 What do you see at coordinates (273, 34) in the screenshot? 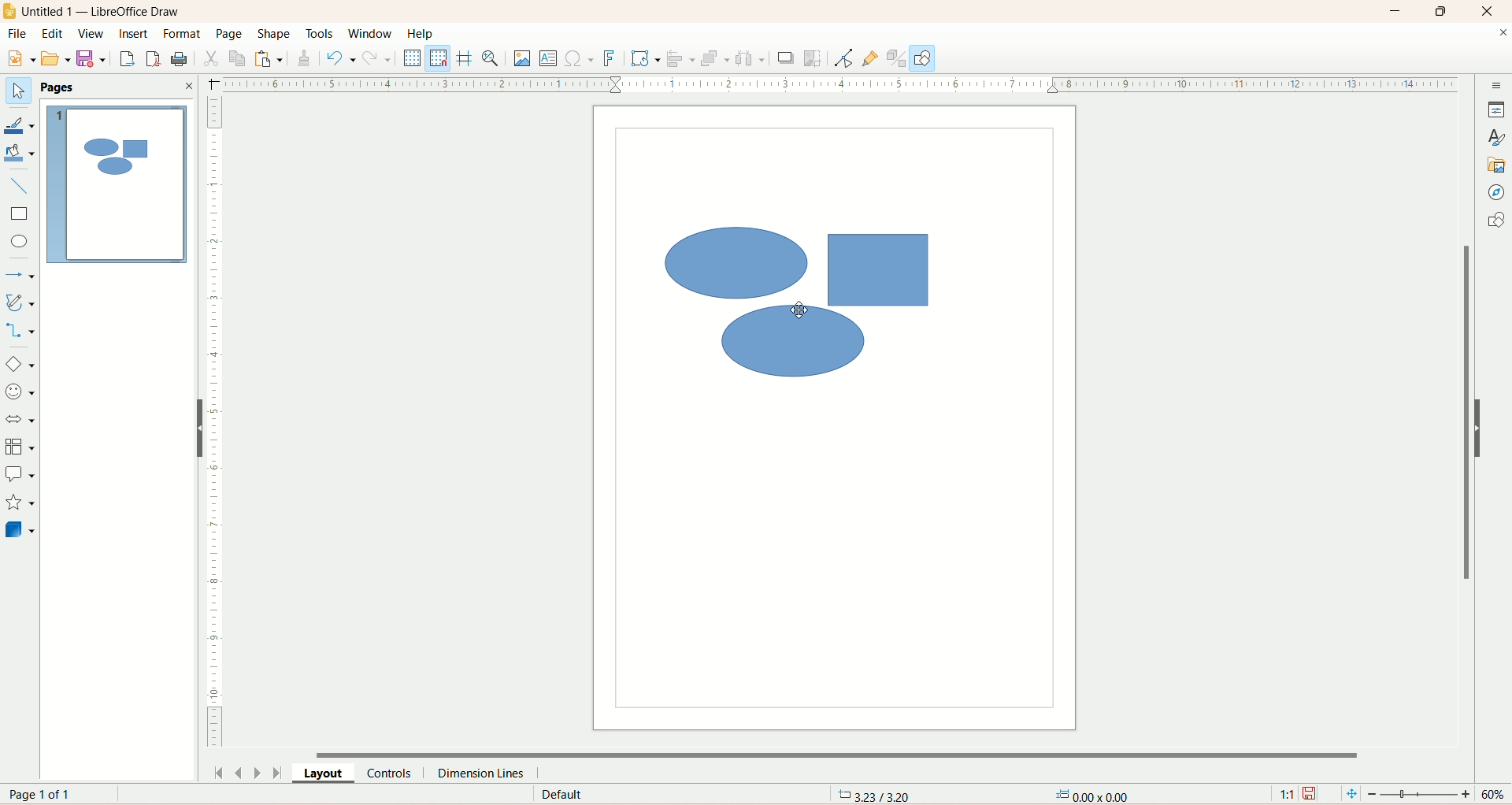
I see `shape` at bounding box center [273, 34].